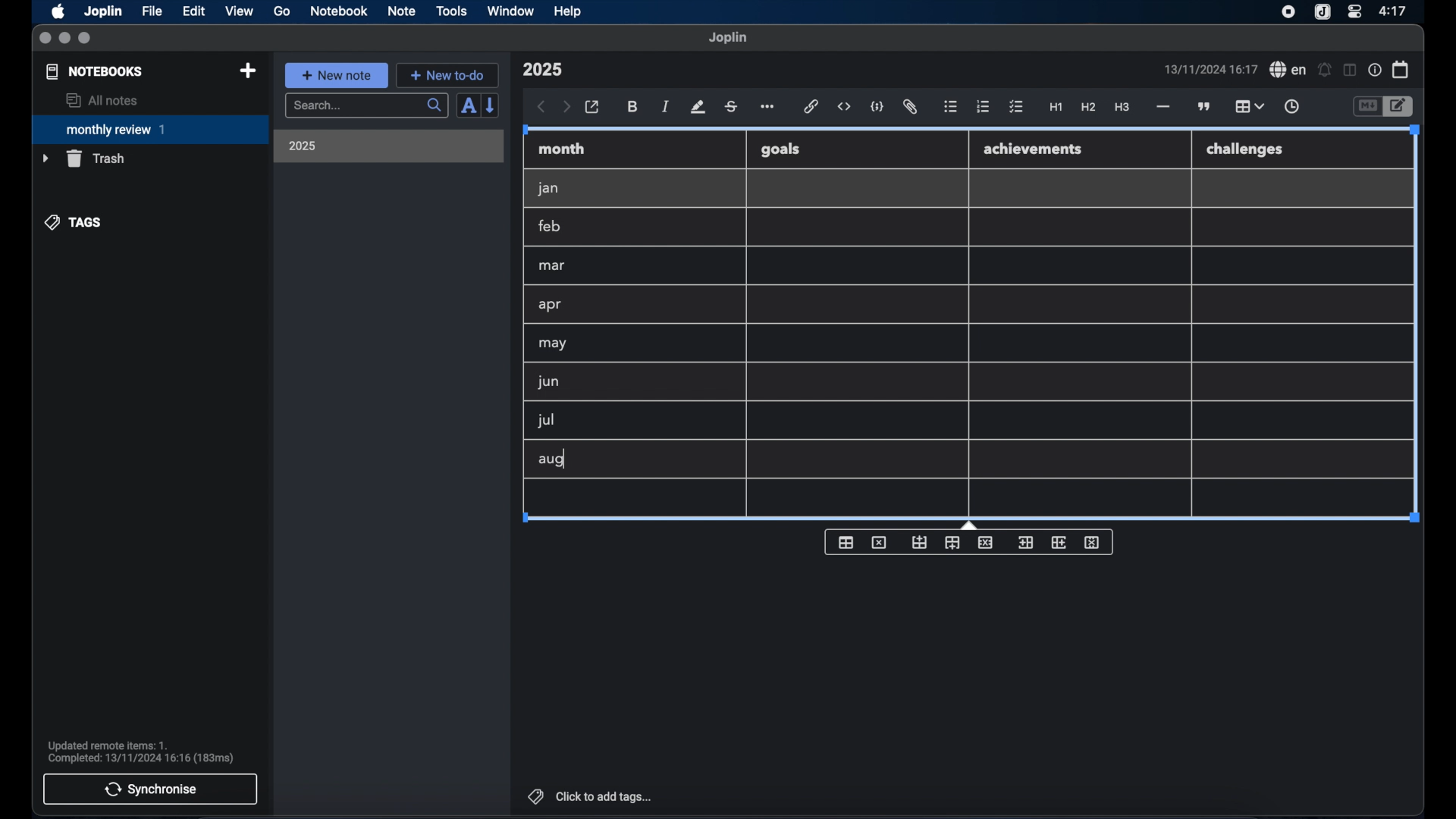 The height and width of the screenshot is (819, 1456). I want to click on attach file, so click(910, 107).